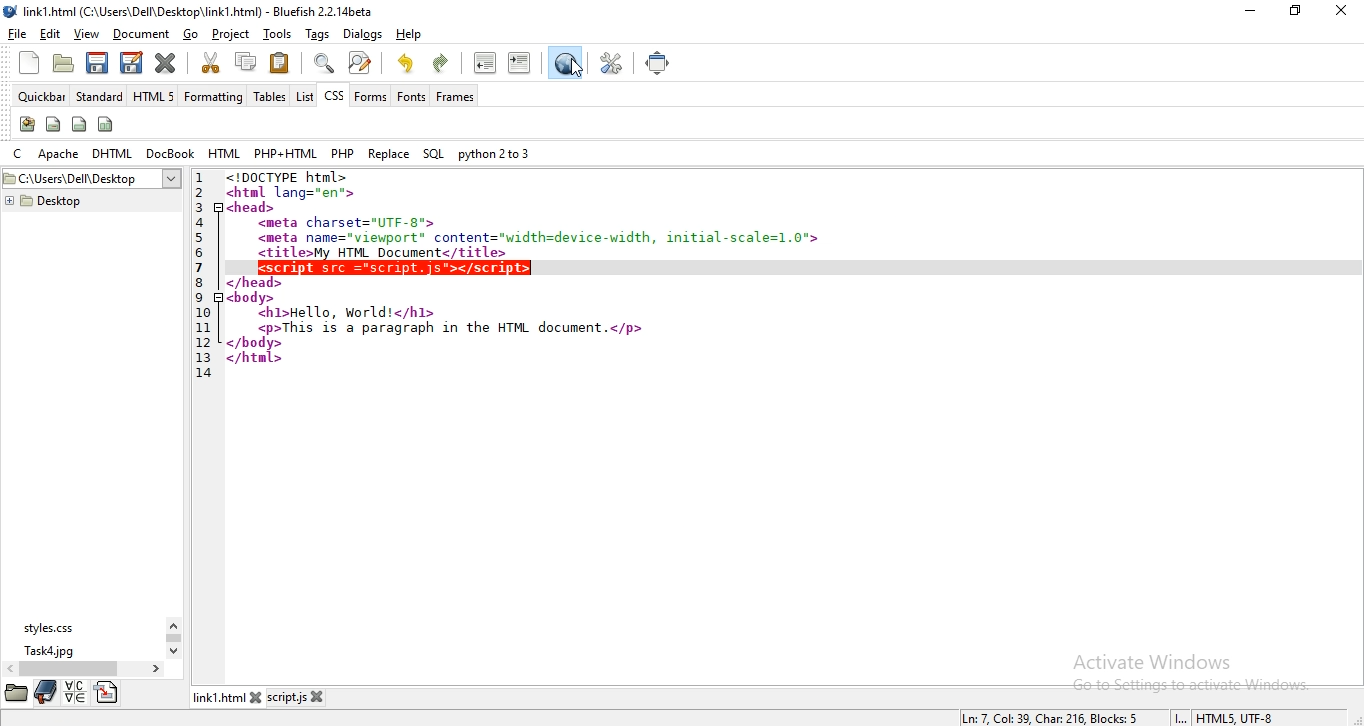 The width and height of the screenshot is (1364, 726). Describe the element at coordinates (43, 201) in the screenshot. I see `desktop` at that location.